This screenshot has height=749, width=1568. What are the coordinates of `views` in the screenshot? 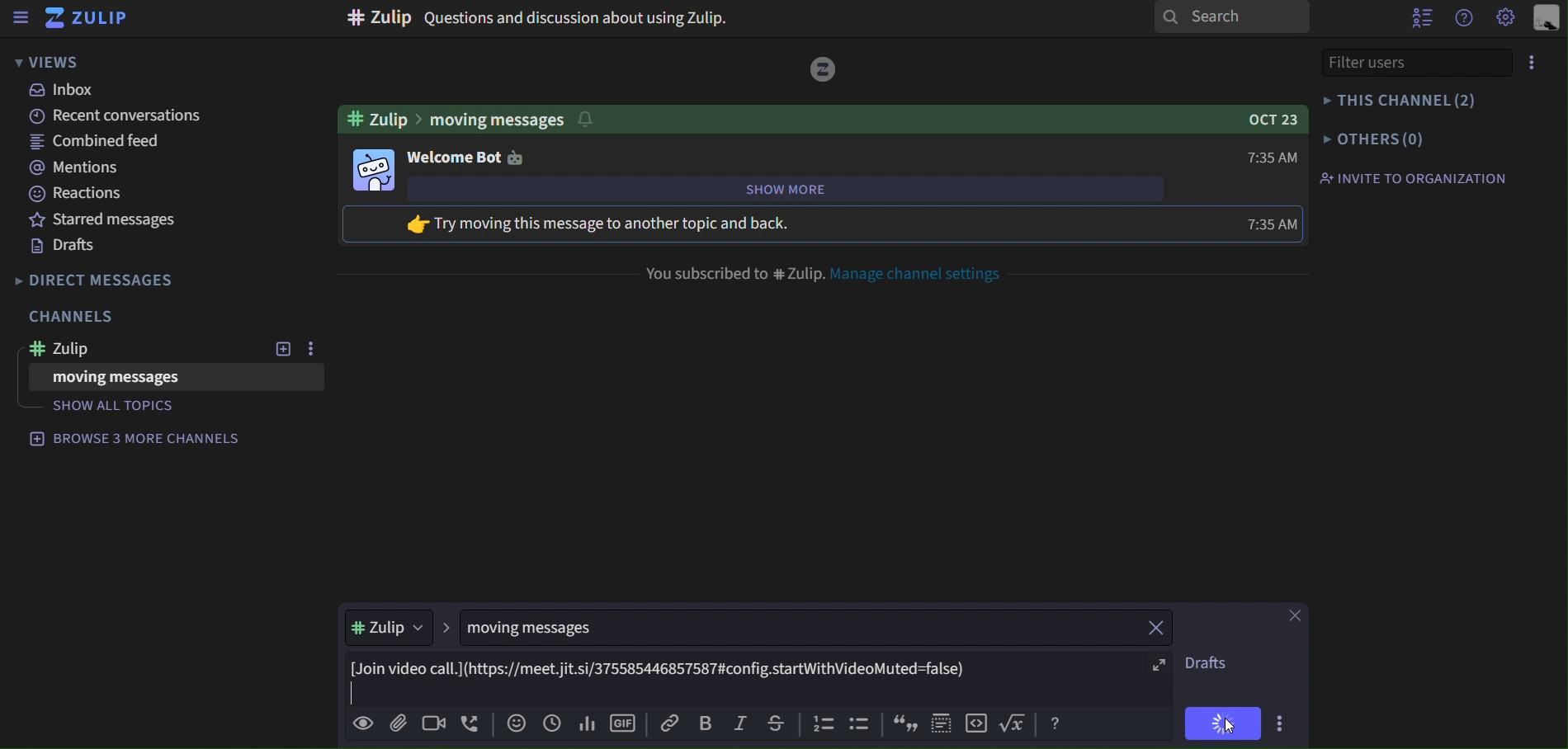 It's located at (51, 61).